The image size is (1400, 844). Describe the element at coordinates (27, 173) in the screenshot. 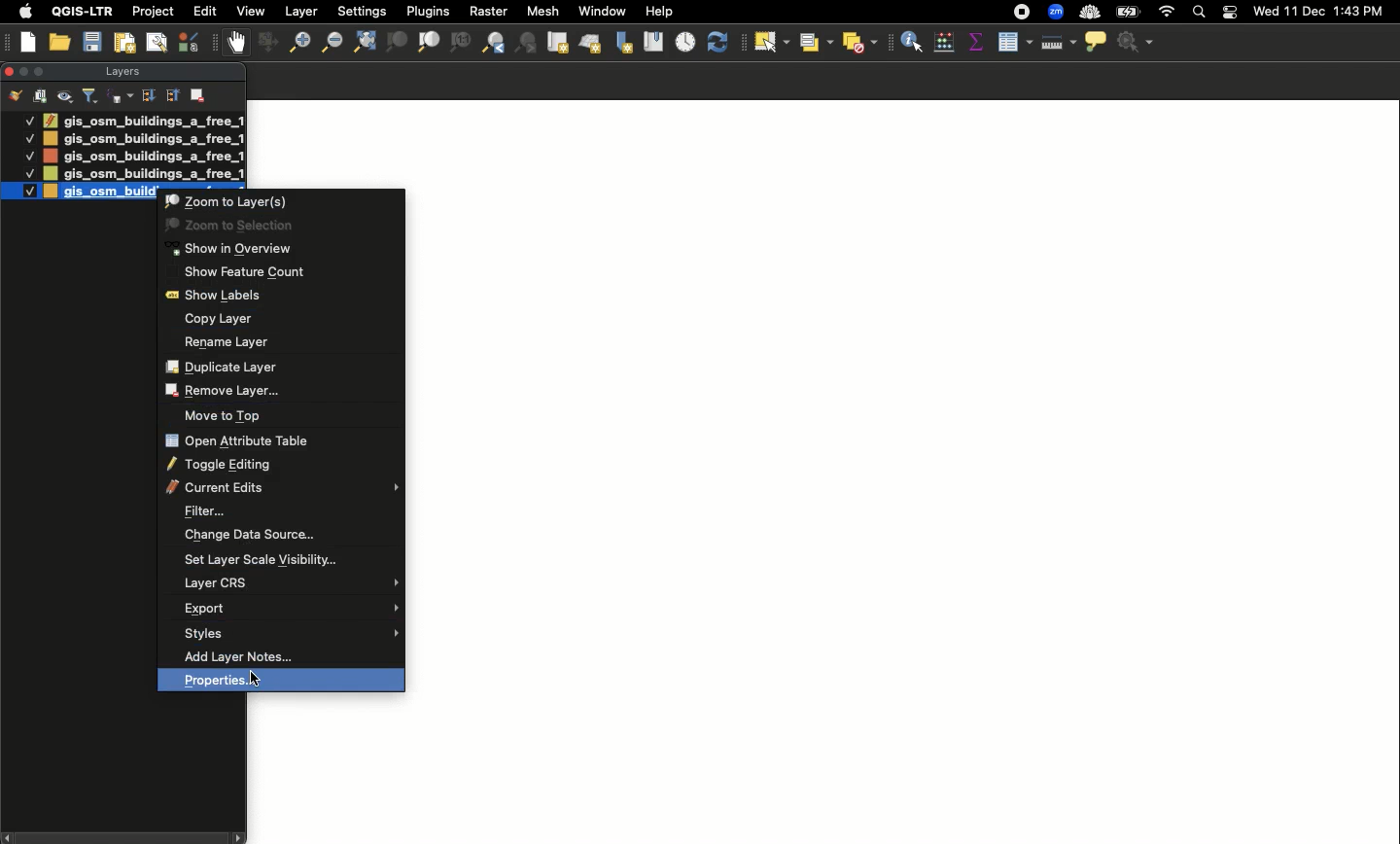

I see `Checked` at that location.